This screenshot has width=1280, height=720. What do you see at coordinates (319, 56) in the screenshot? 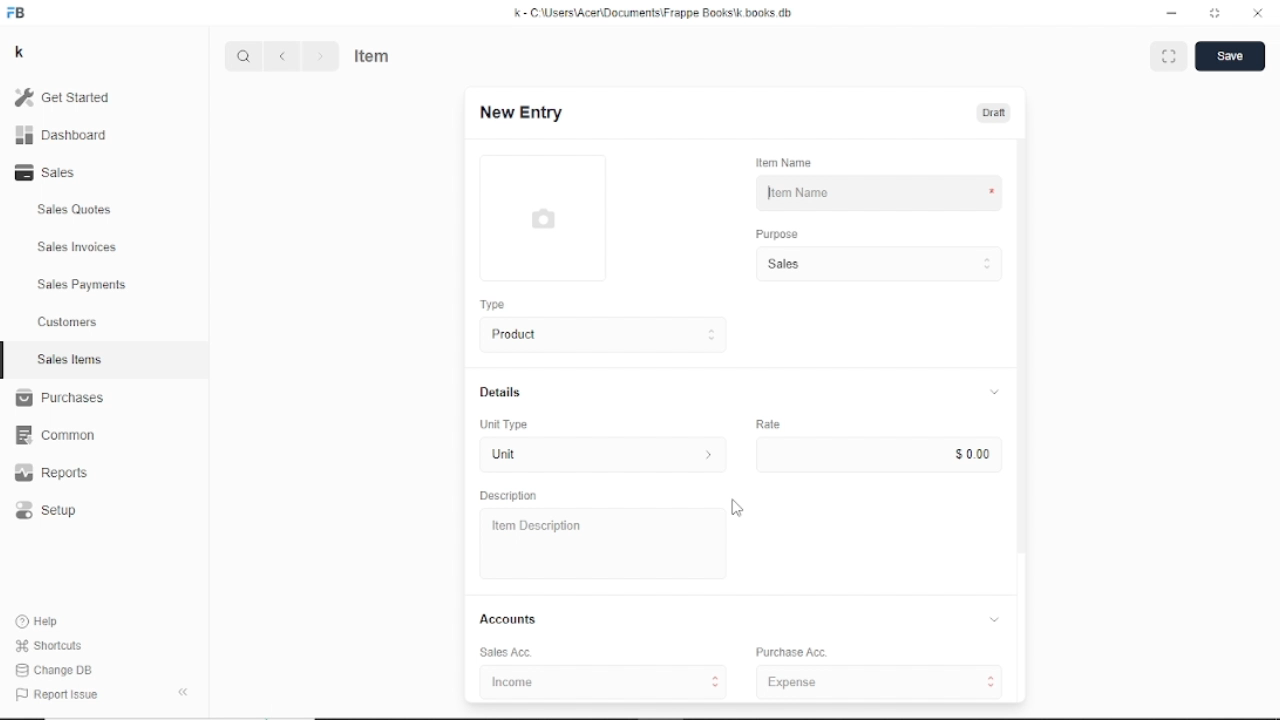
I see `Next` at bounding box center [319, 56].